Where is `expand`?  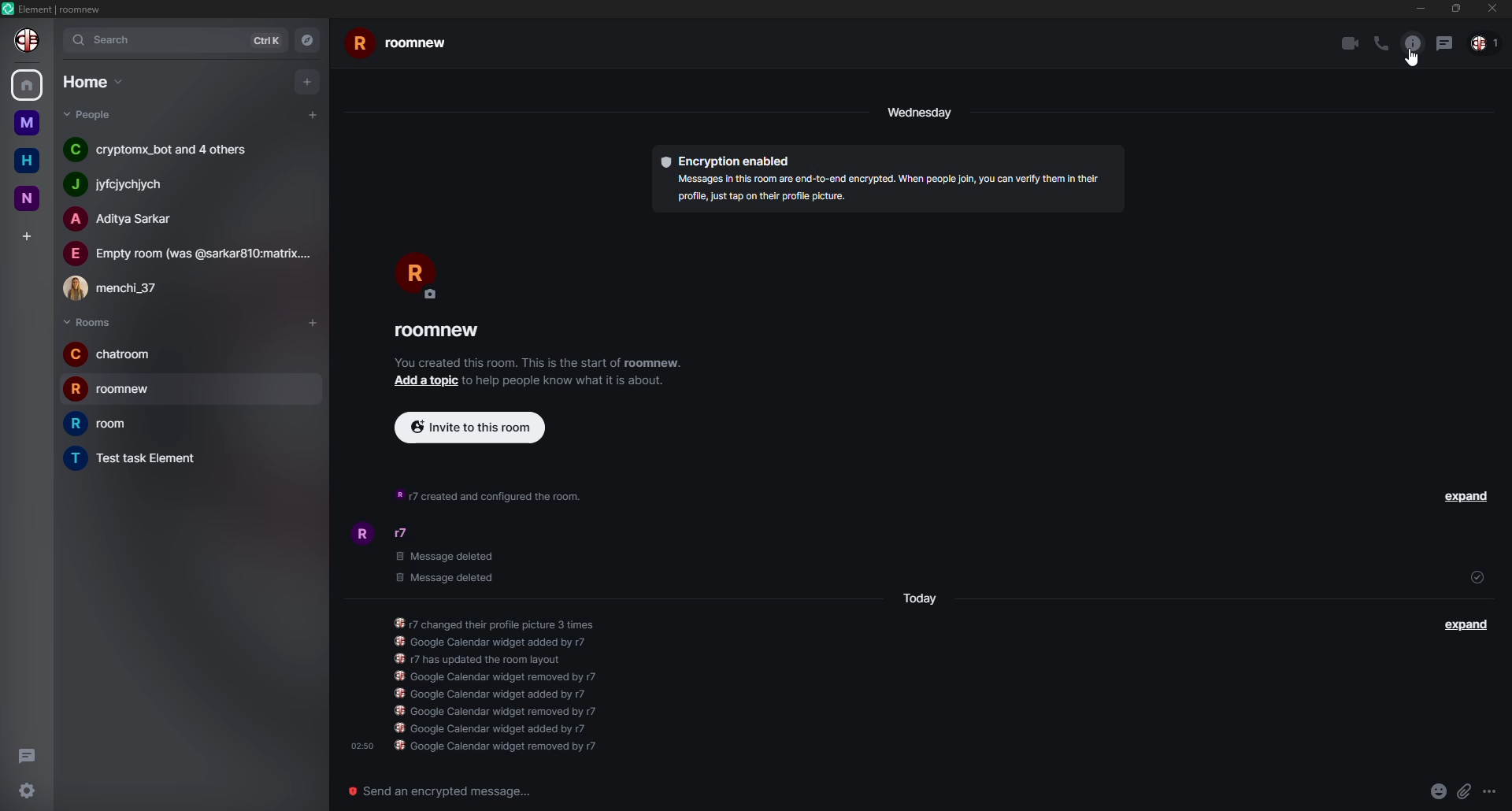
expand is located at coordinates (1467, 625).